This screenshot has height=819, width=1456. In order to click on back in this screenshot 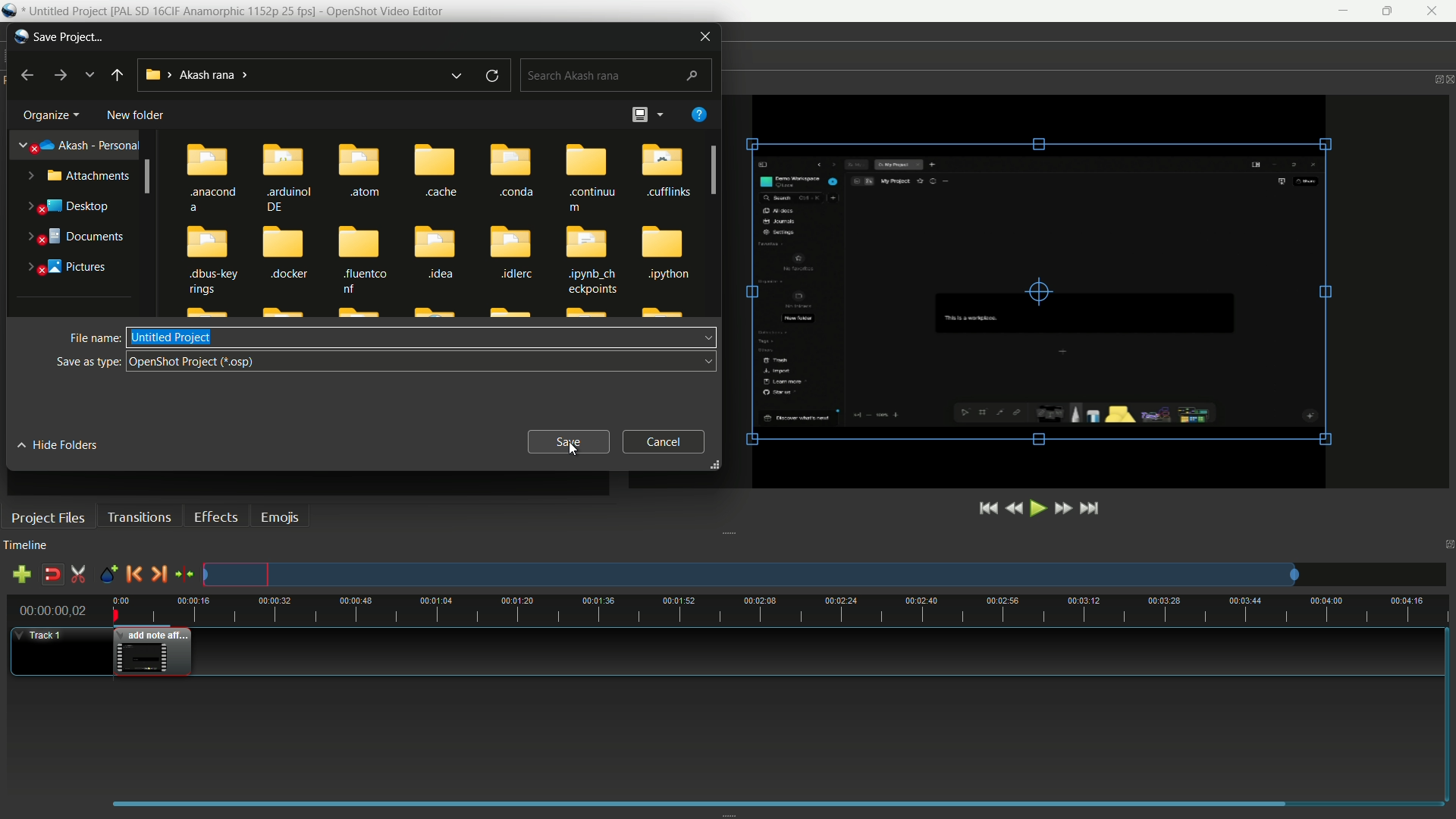, I will do `click(118, 77)`.